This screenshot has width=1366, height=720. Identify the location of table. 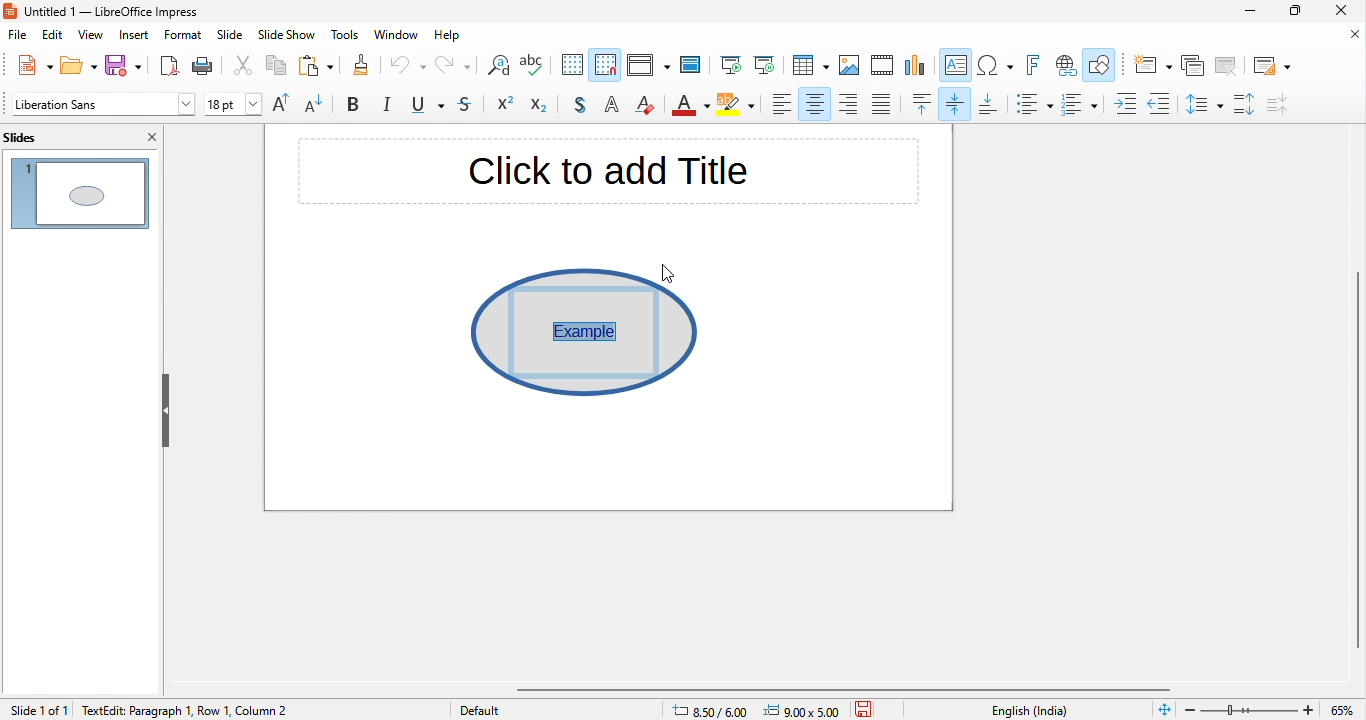
(810, 66).